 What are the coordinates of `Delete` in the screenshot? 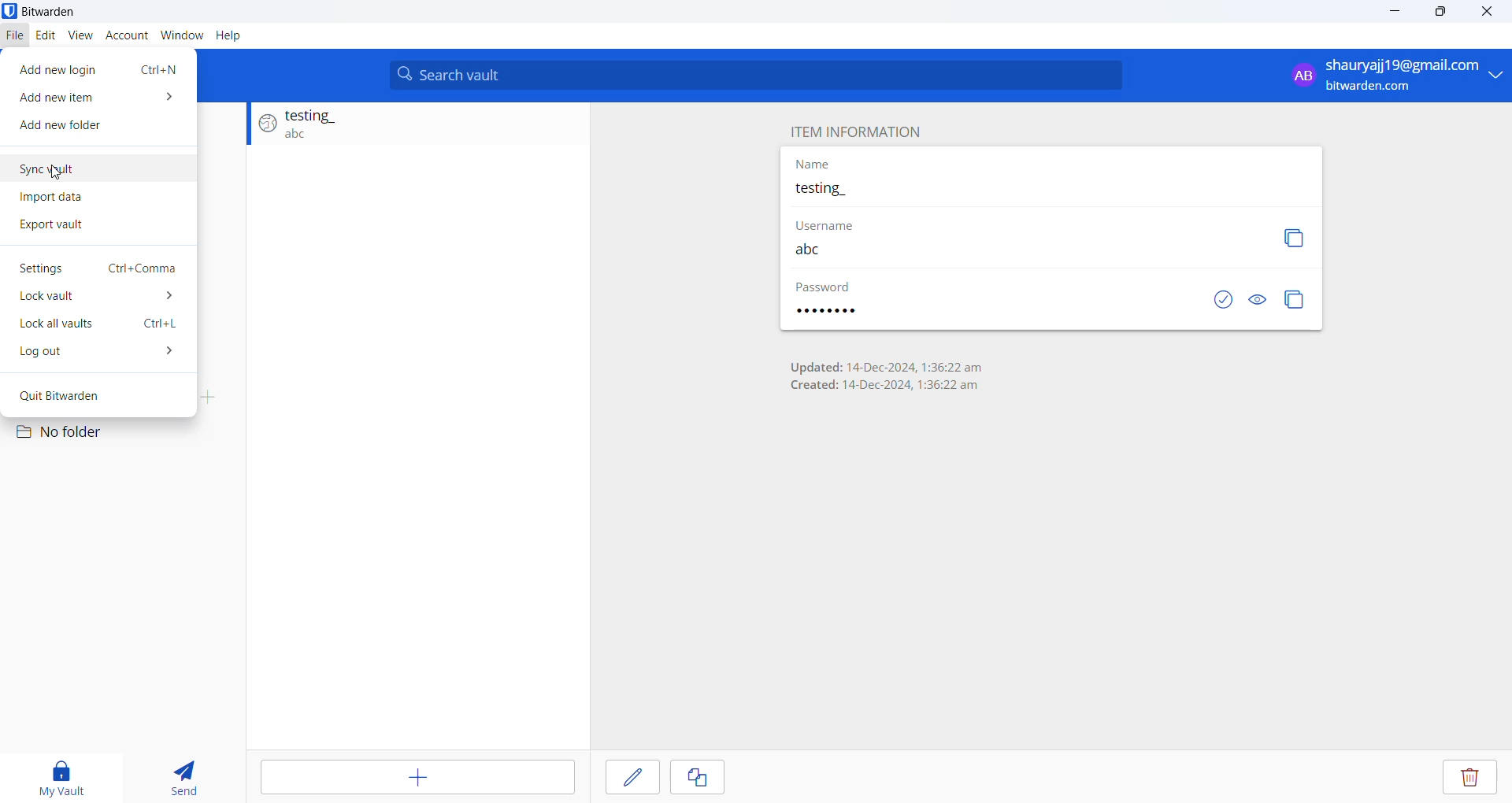 It's located at (1469, 779).